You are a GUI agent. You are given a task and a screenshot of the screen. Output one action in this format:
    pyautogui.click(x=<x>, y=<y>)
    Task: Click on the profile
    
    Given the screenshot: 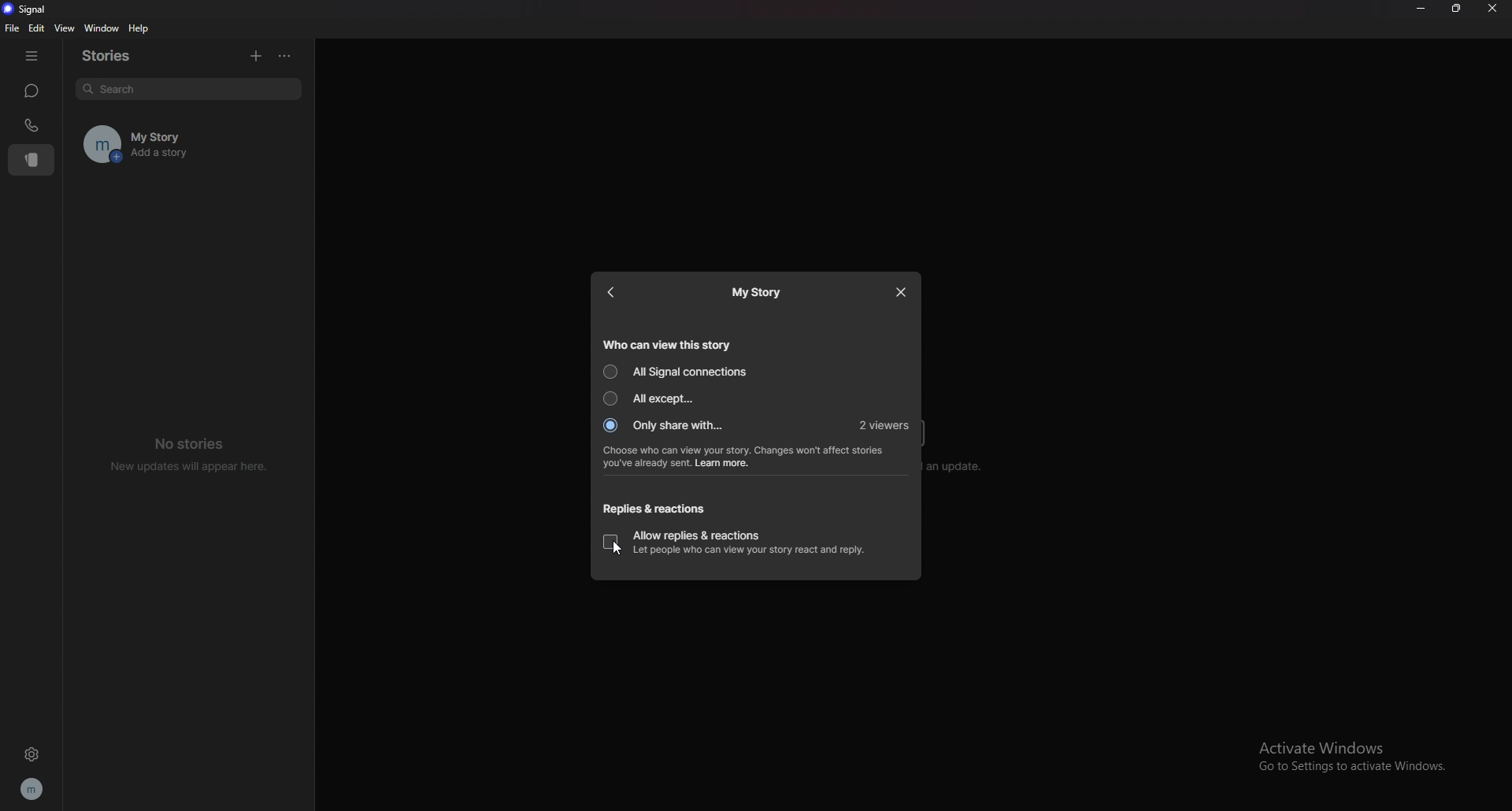 What is the action you would take?
    pyautogui.click(x=33, y=788)
    